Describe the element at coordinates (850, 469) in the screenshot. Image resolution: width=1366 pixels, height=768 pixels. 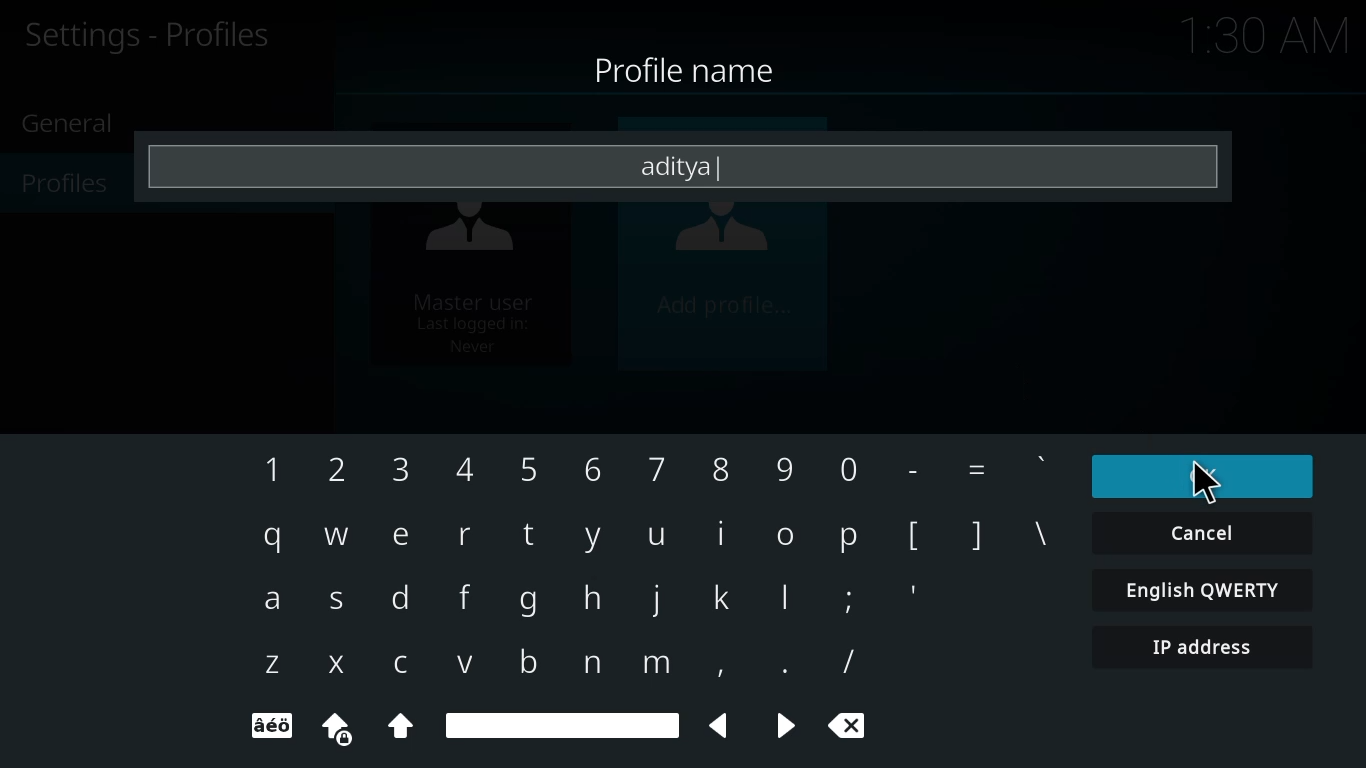
I see `0` at that location.